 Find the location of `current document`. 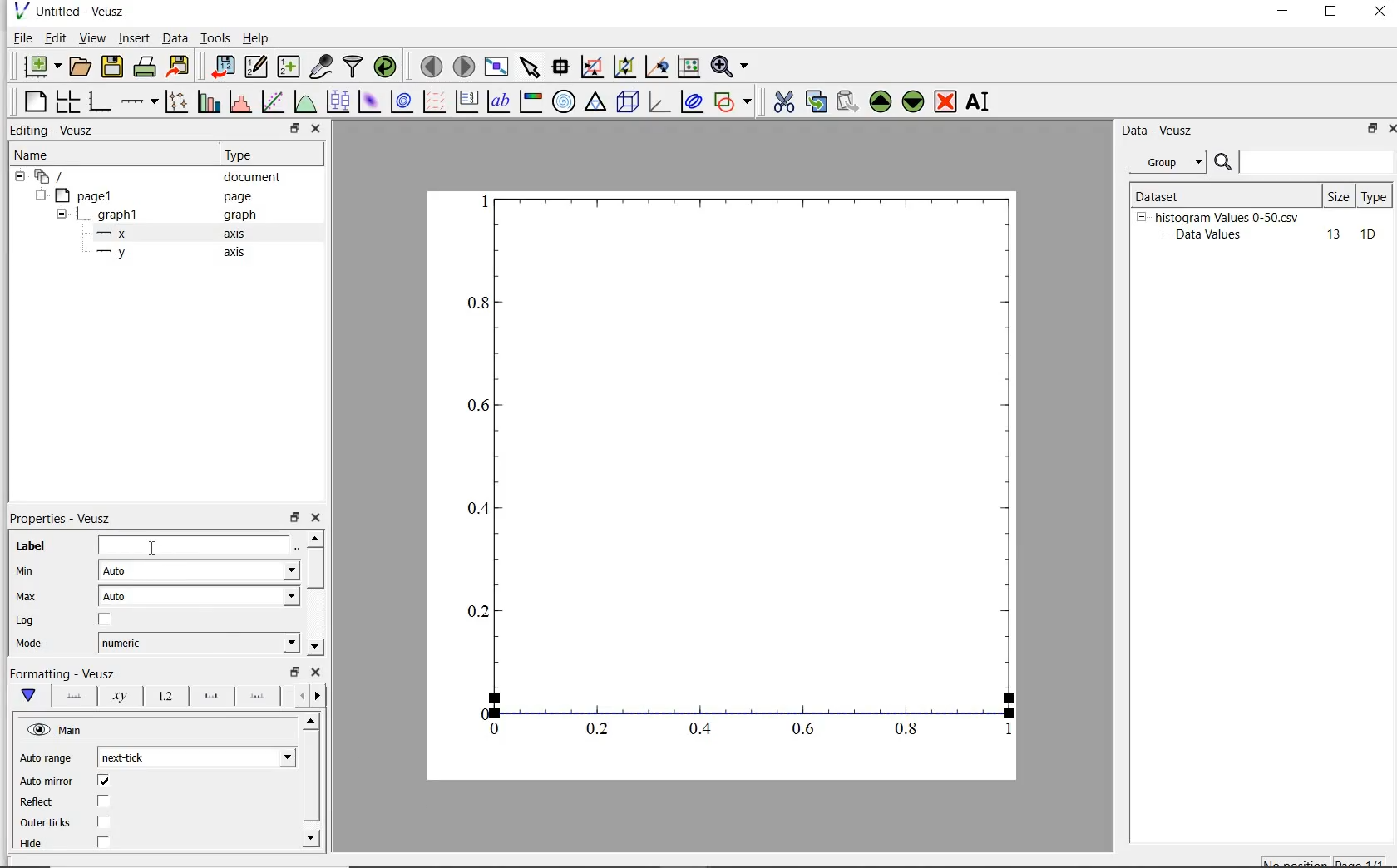

current document is located at coordinates (52, 177).